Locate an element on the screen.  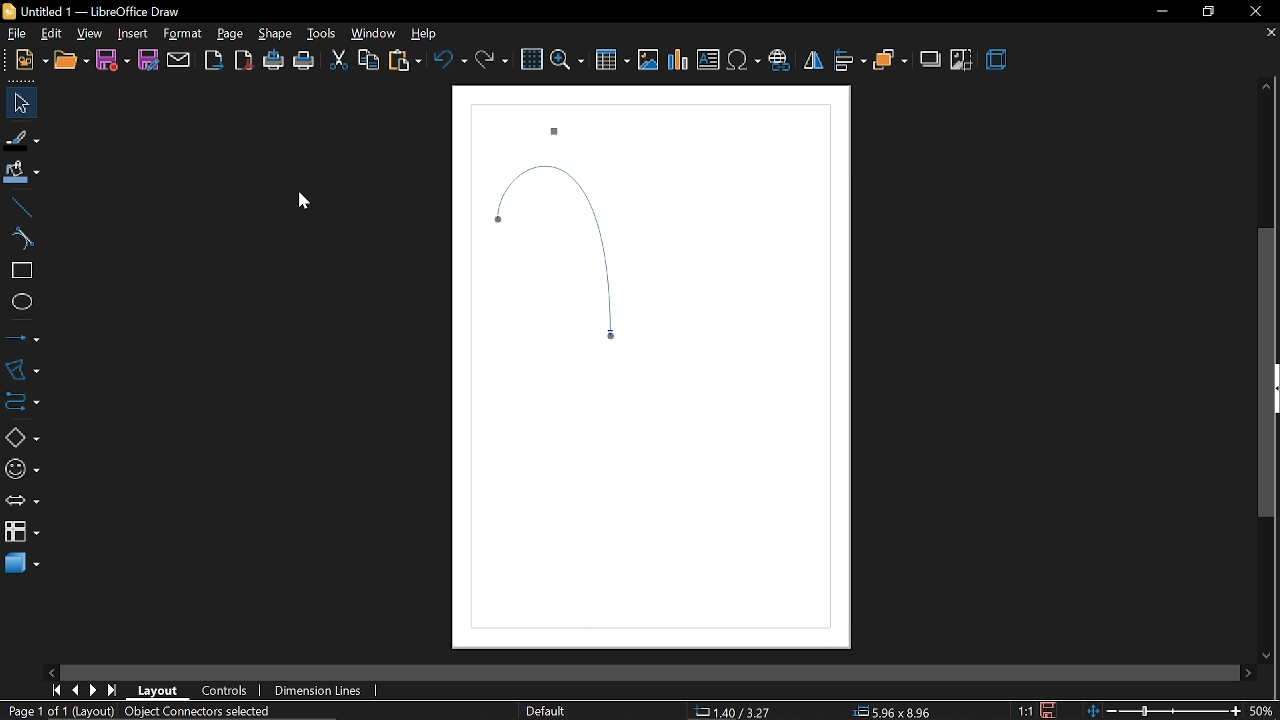
crop is located at coordinates (962, 60).